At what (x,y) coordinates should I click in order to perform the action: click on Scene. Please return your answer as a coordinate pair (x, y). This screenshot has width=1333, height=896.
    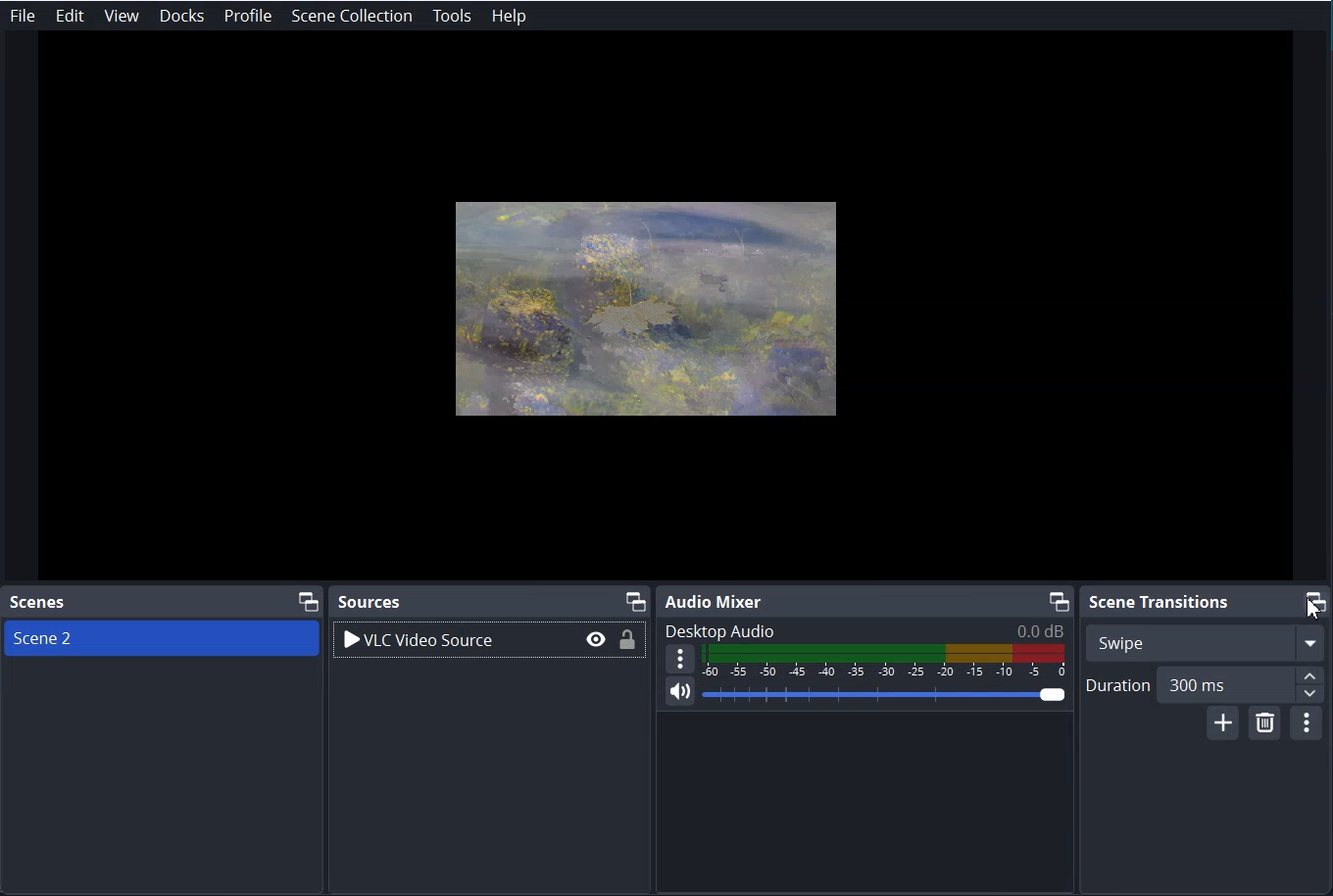
    Looking at the image, I should click on (39, 603).